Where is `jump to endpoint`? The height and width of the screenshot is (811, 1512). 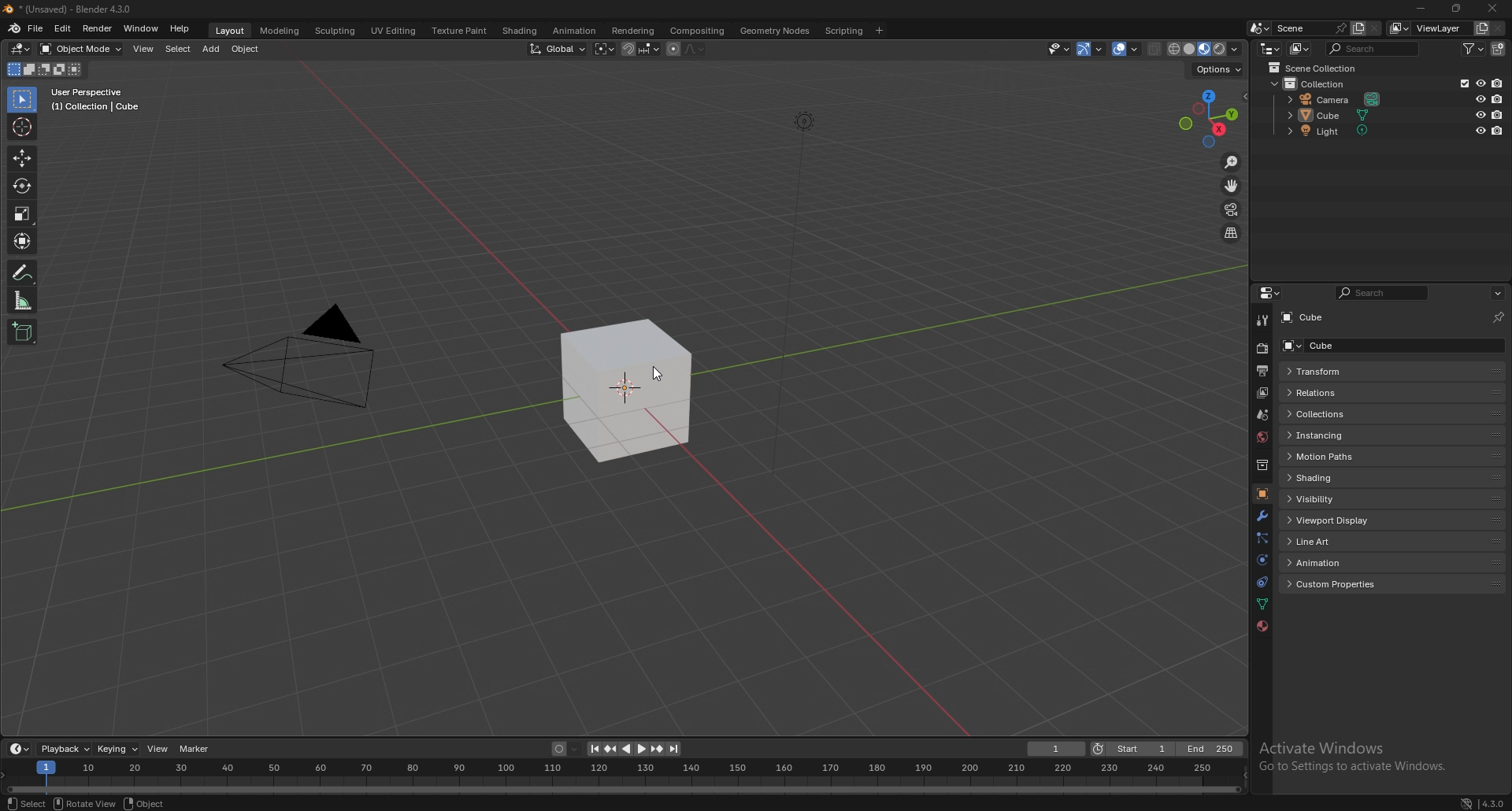
jump to endpoint is located at coordinates (592, 749).